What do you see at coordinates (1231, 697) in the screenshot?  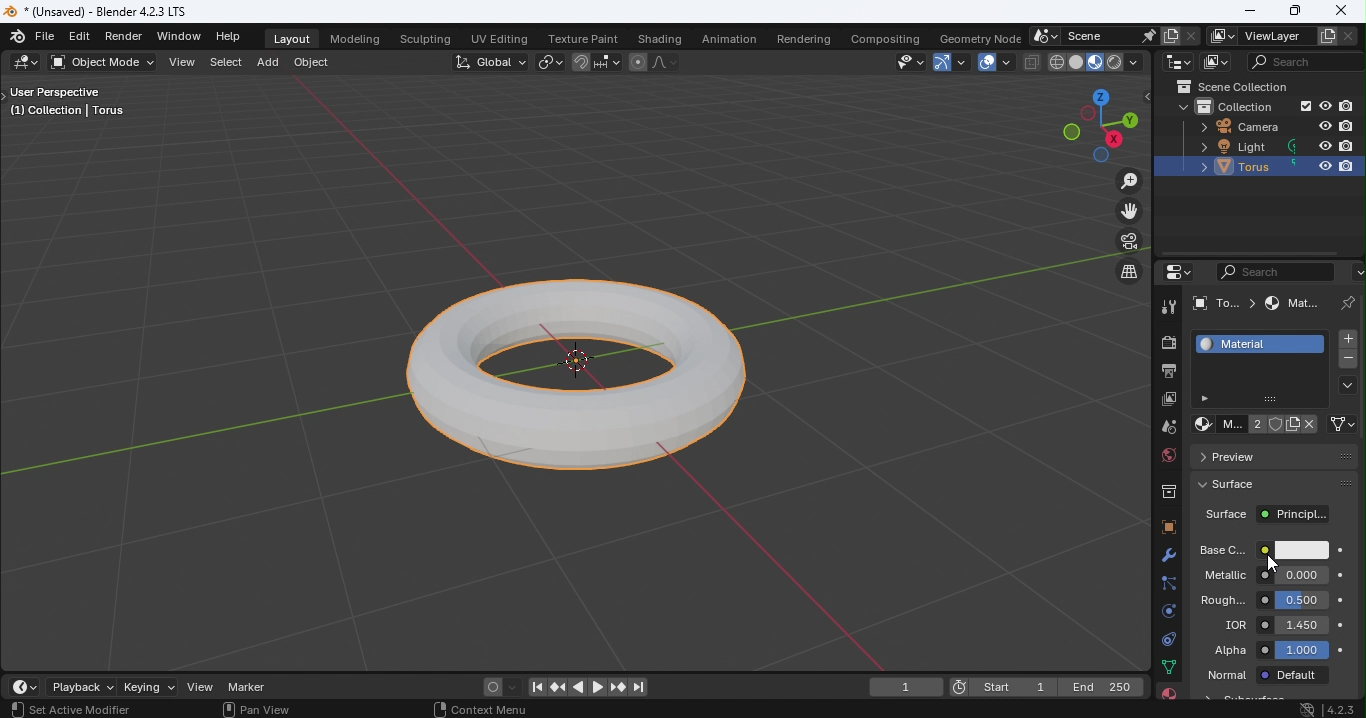 I see `Material` at bounding box center [1231, 697].